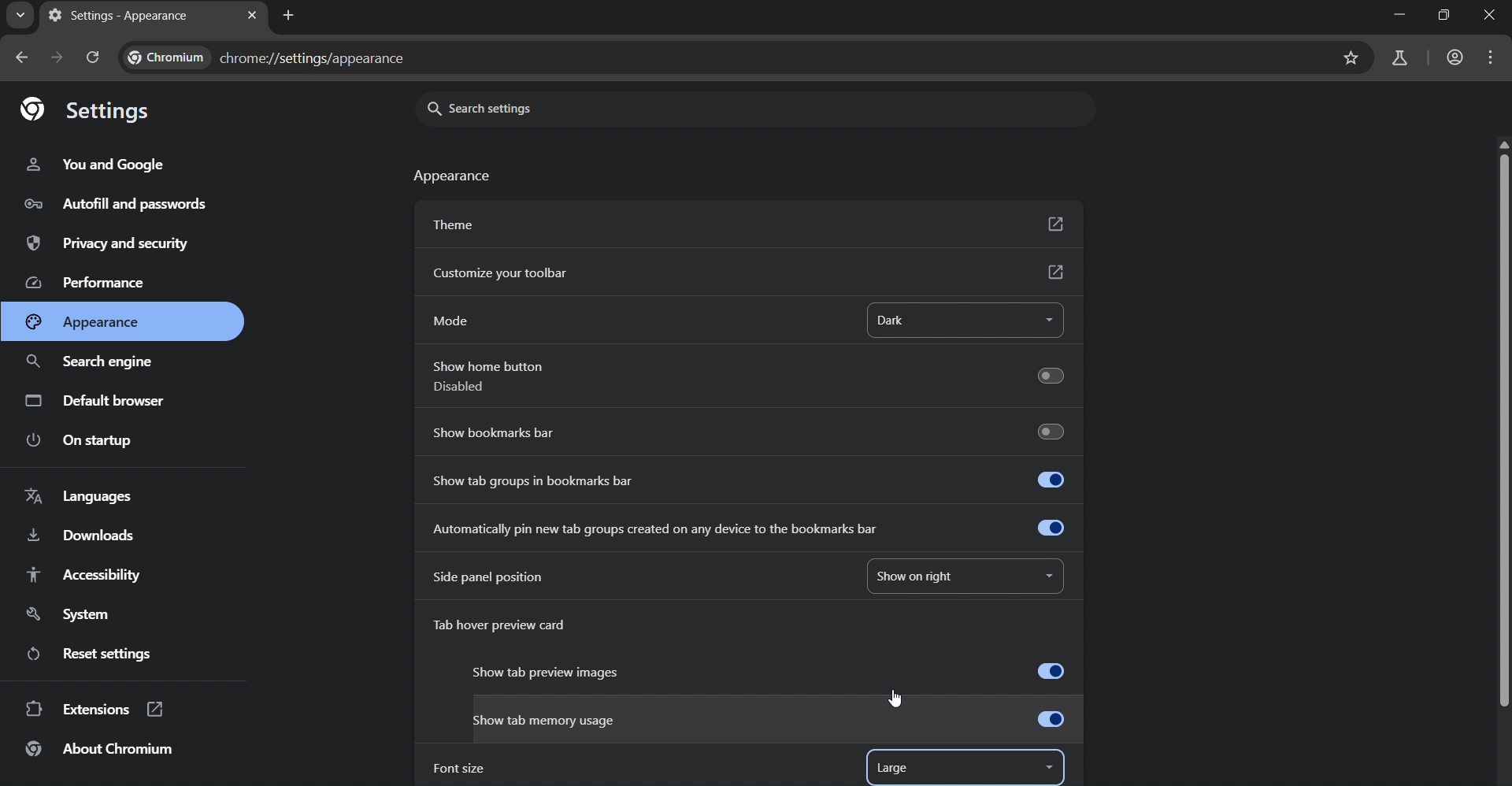 The image size is (1512, 786). I want to click on dark, so click(923, 321).